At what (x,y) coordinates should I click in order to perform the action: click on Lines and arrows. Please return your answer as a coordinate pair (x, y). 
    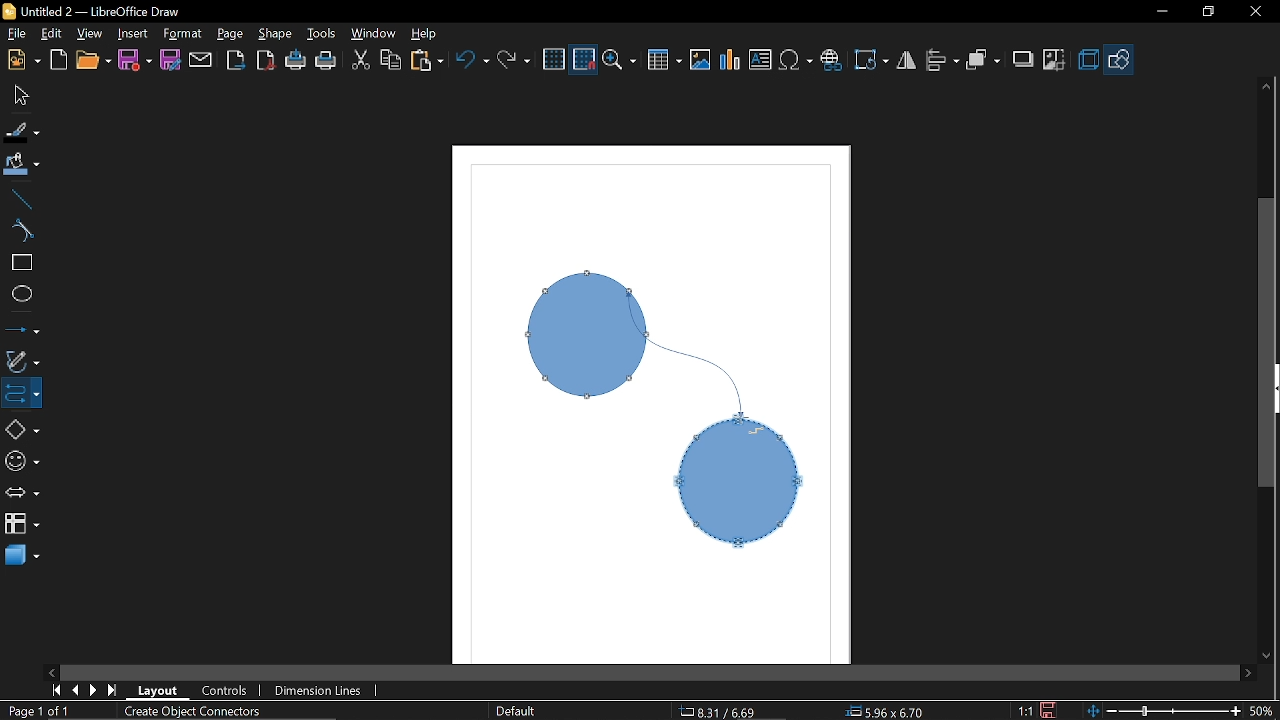
    Looking at the image, I should click on (22, 330).